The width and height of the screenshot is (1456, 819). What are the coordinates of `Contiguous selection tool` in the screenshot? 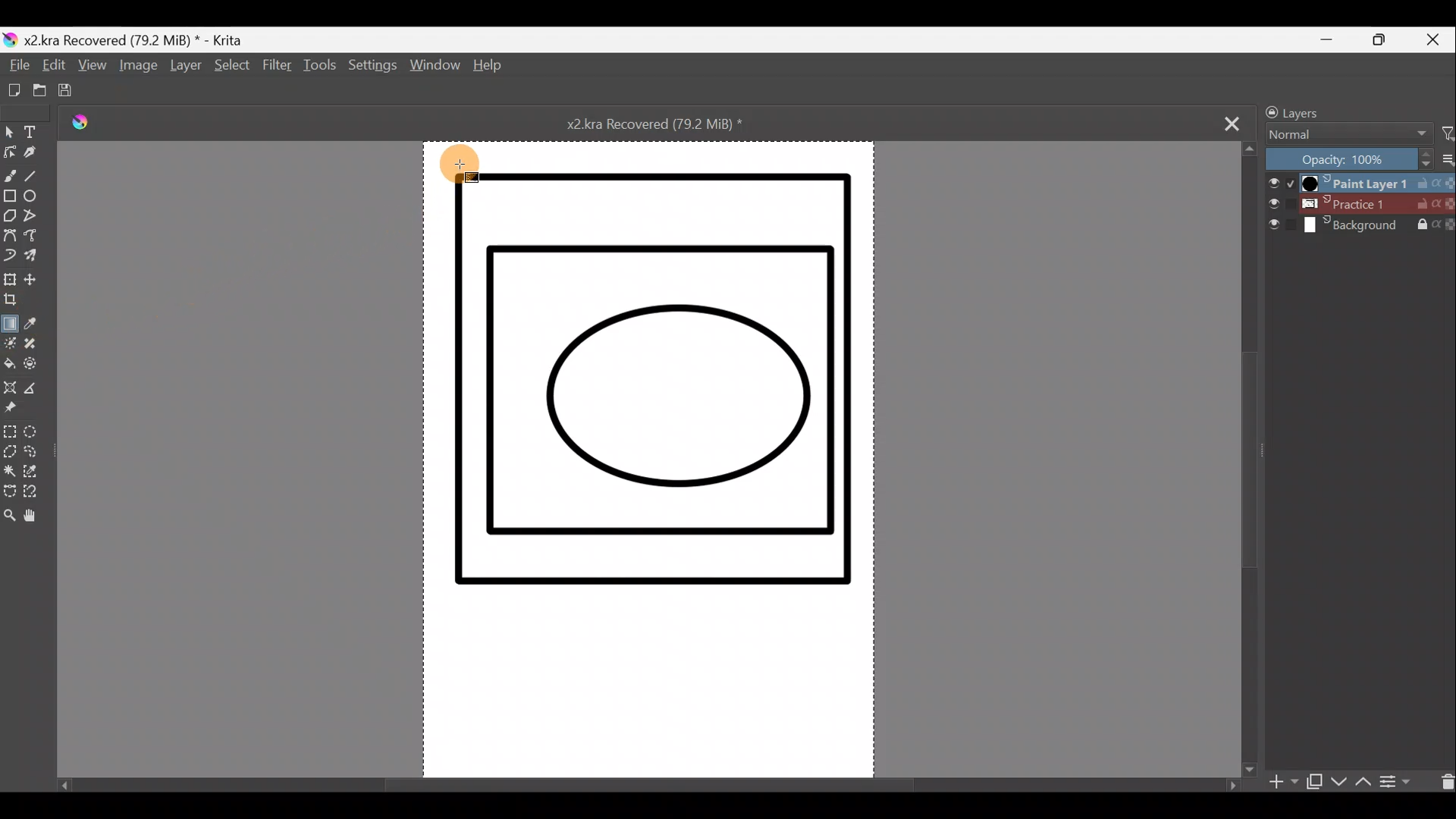 It's located at (10, 472).